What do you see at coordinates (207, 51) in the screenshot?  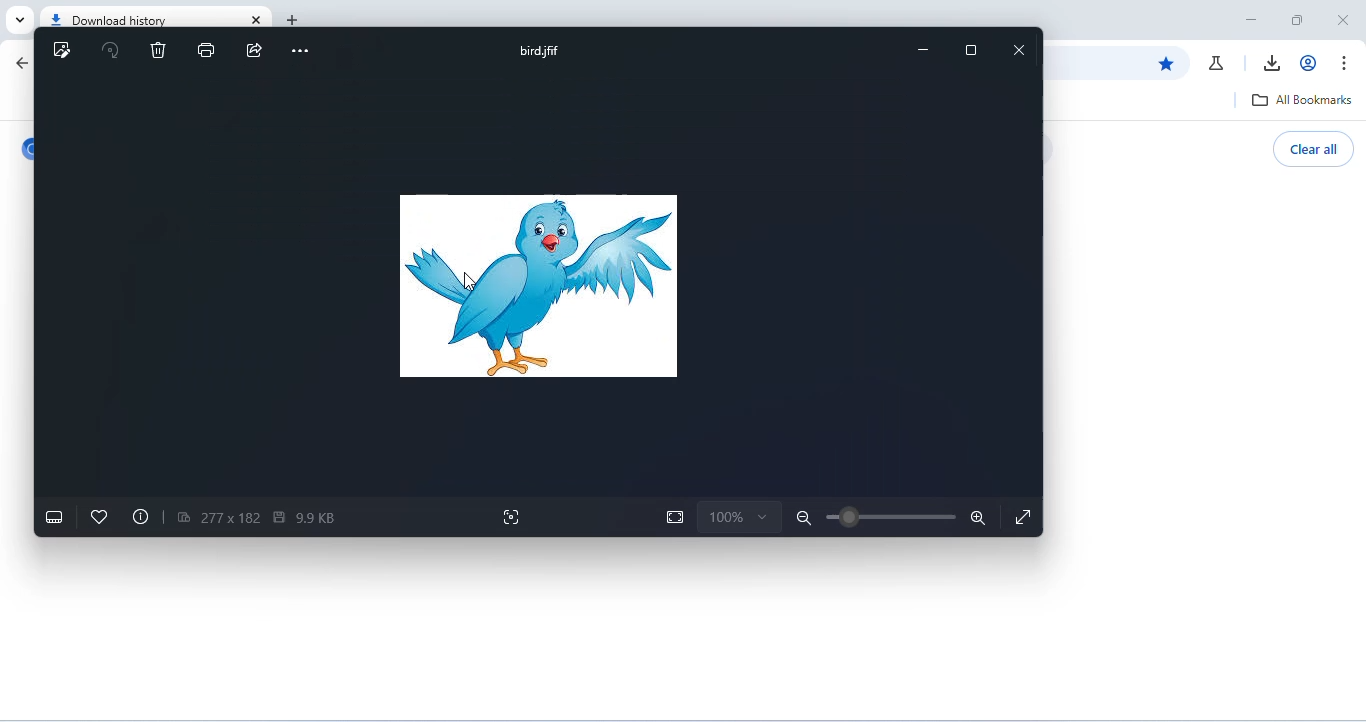 I see `print` at bounding box center [207, 51].